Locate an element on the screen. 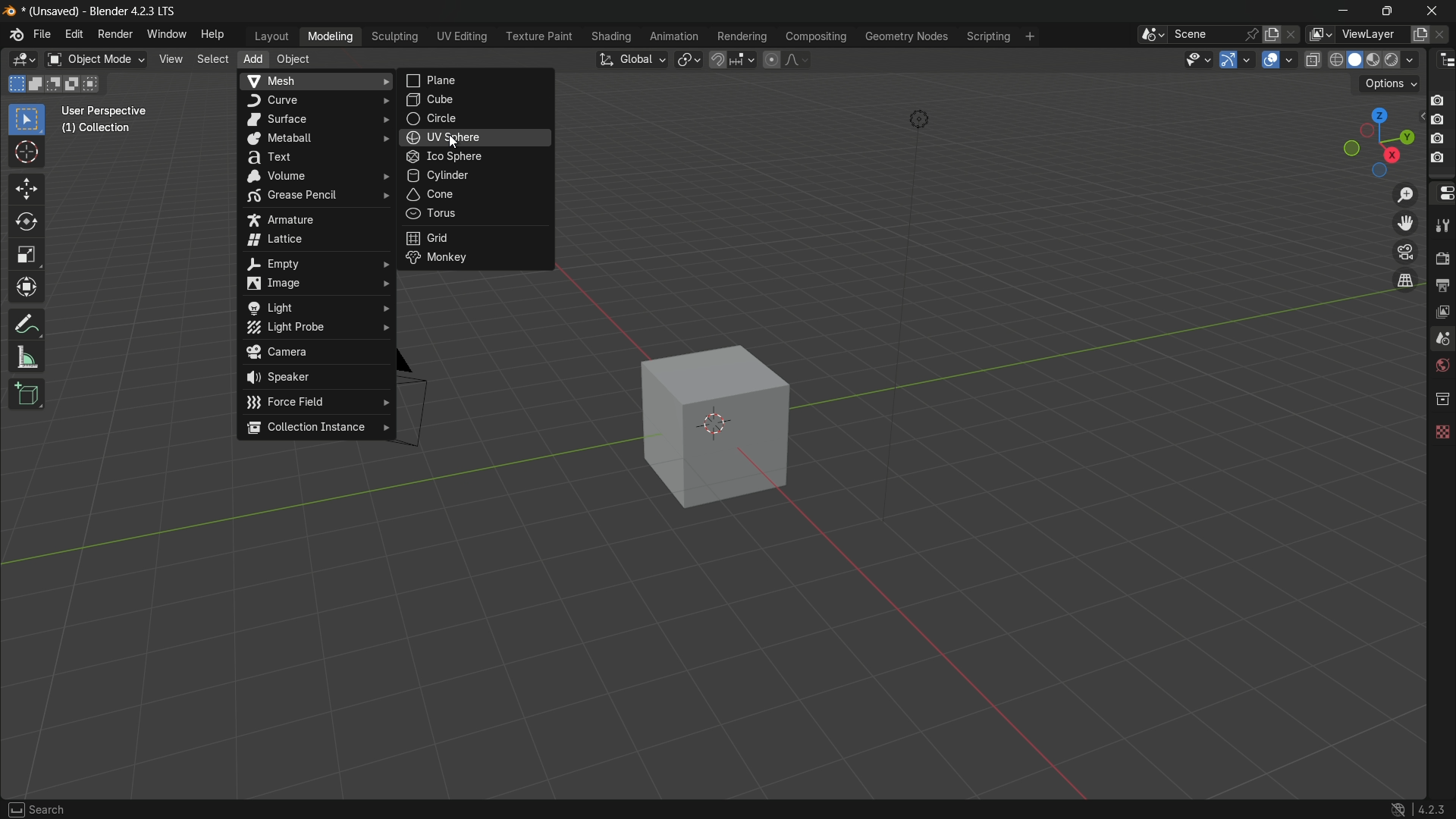 The image size is (1456, 819). view layer name is located at coordinates (1372, 34).